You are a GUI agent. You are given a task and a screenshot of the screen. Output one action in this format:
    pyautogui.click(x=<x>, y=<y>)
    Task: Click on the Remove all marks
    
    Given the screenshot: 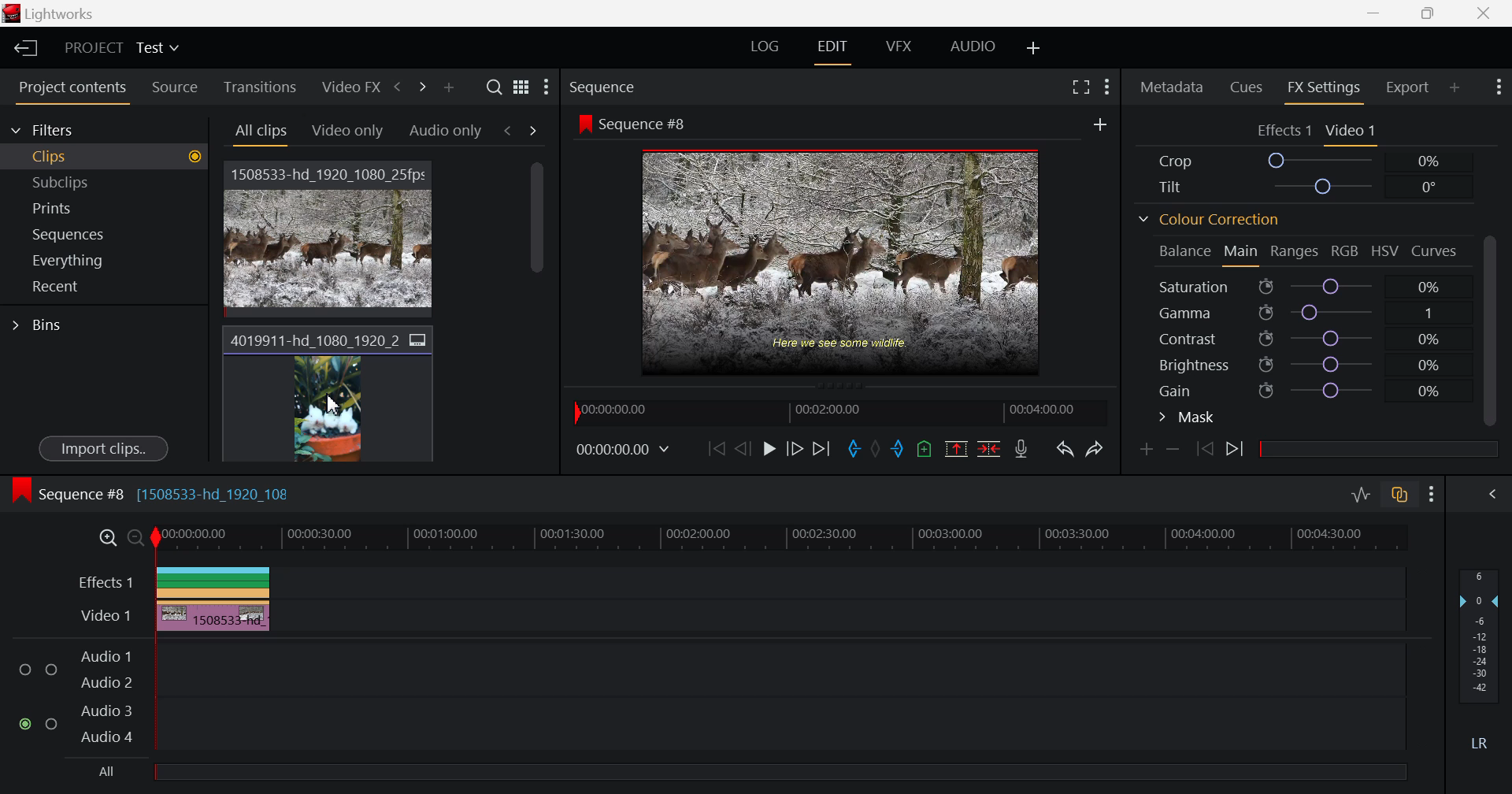 What is the action you would take?
    pyautogui.click(x=875, y=451)
    